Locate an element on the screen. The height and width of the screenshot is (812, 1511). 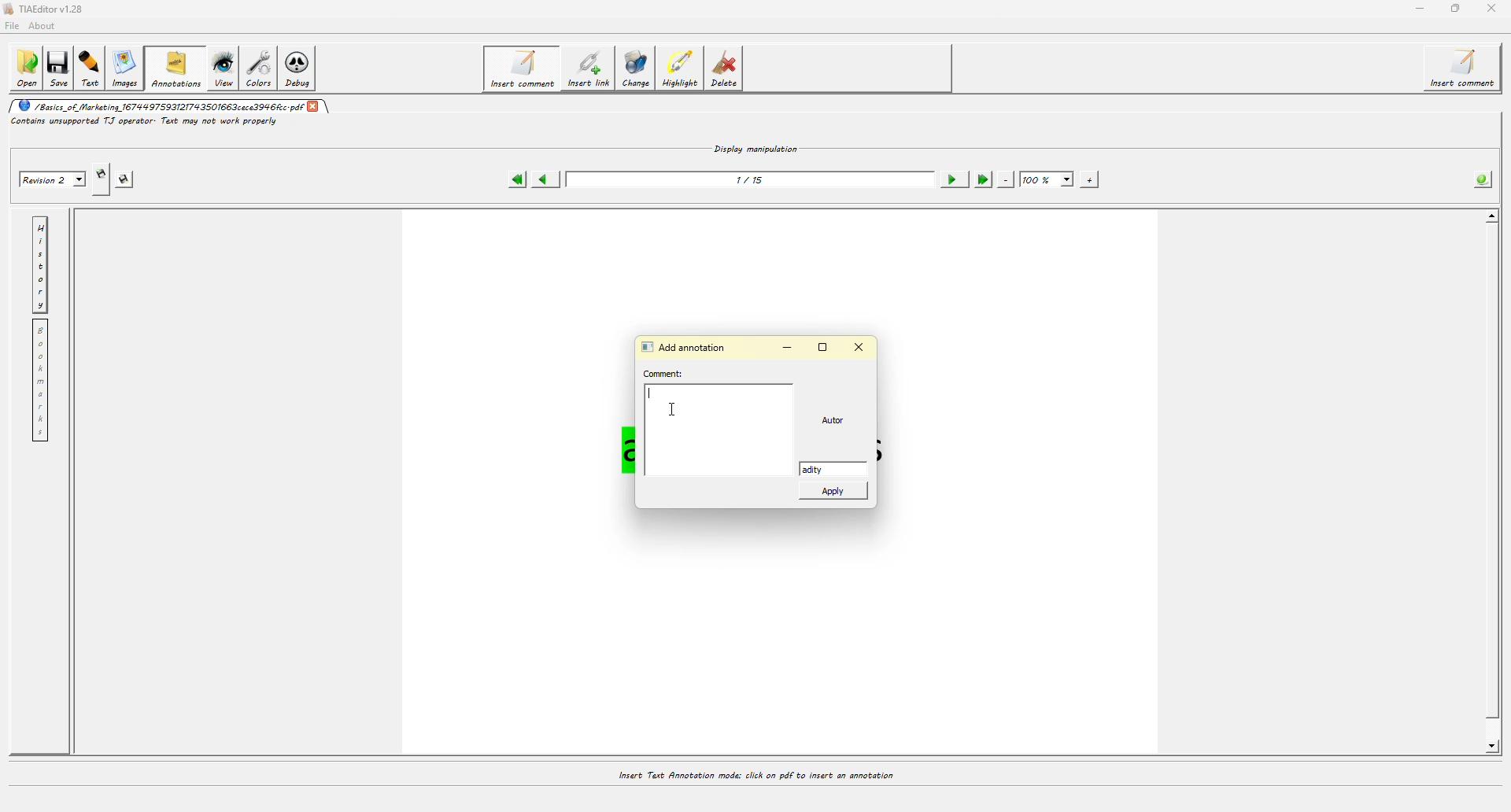
100% is located at coordinates (1047, 180).